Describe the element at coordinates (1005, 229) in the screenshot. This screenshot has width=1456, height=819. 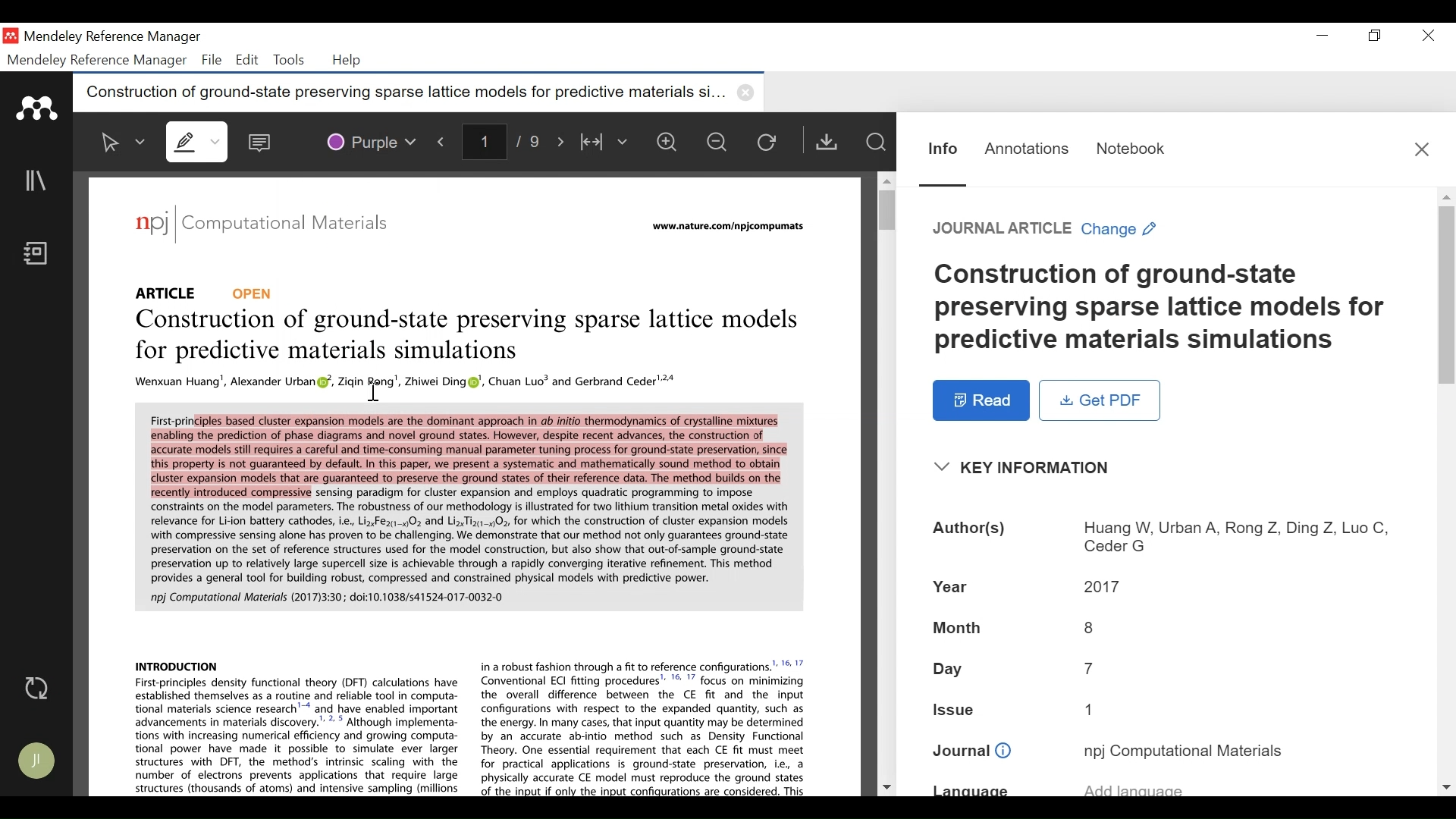
I see `Reference Type` at that location.